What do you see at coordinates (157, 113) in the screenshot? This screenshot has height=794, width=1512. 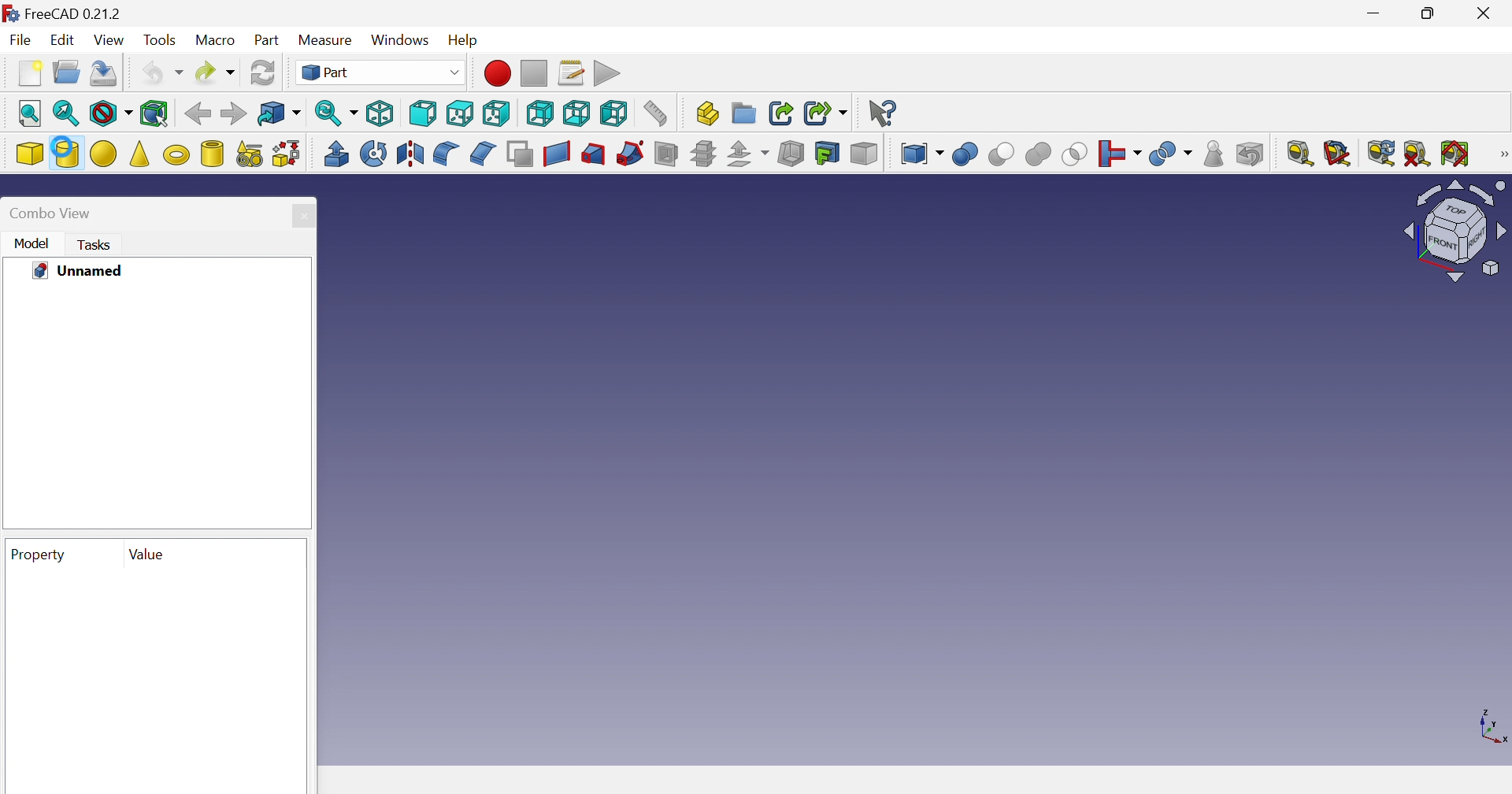 I see `Bounding box` at bounding box center [157, 113].